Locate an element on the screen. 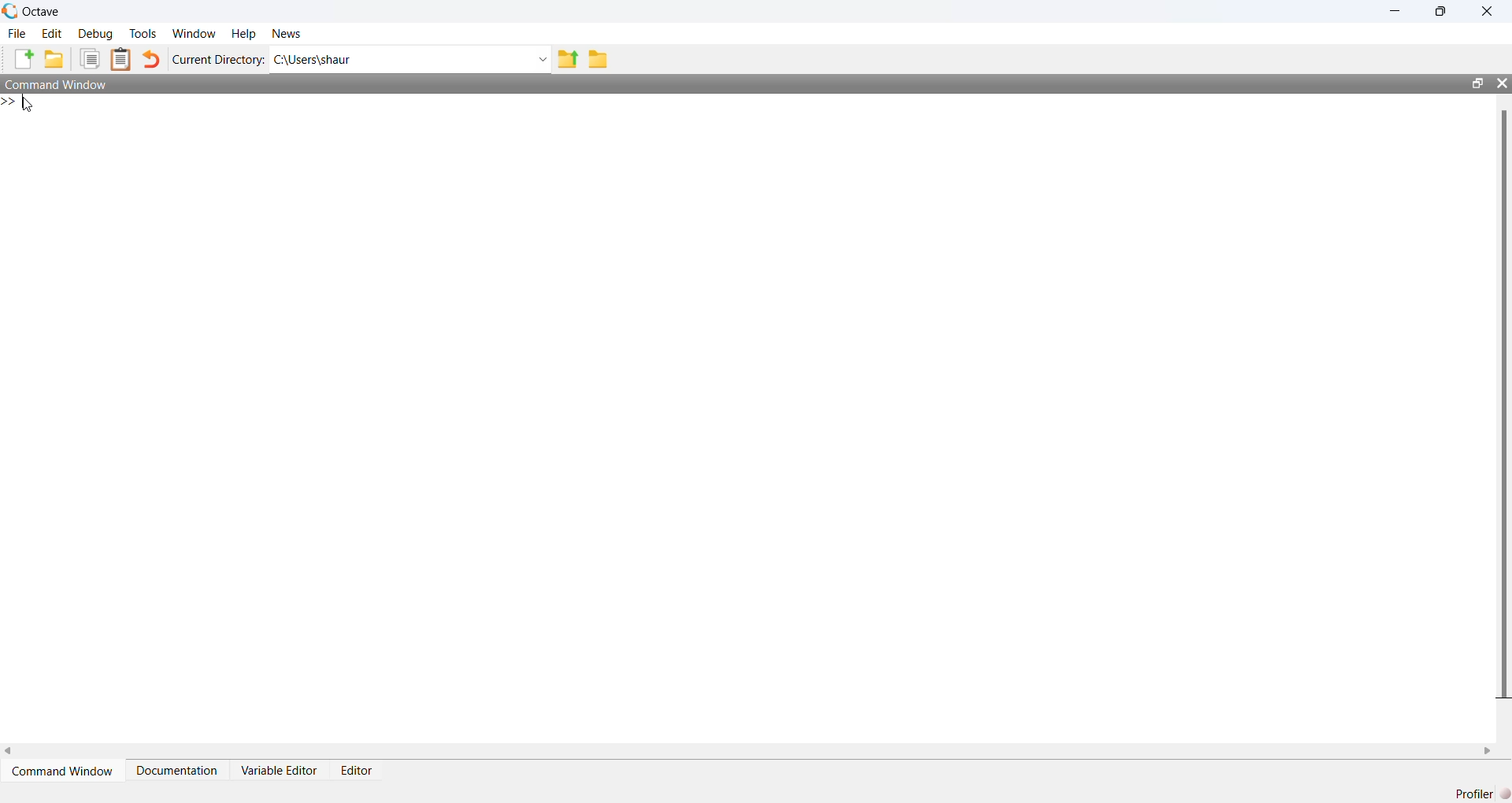 The width and height of the screenshot is (1512, 803). clip board is located at coordinates (121, 59).